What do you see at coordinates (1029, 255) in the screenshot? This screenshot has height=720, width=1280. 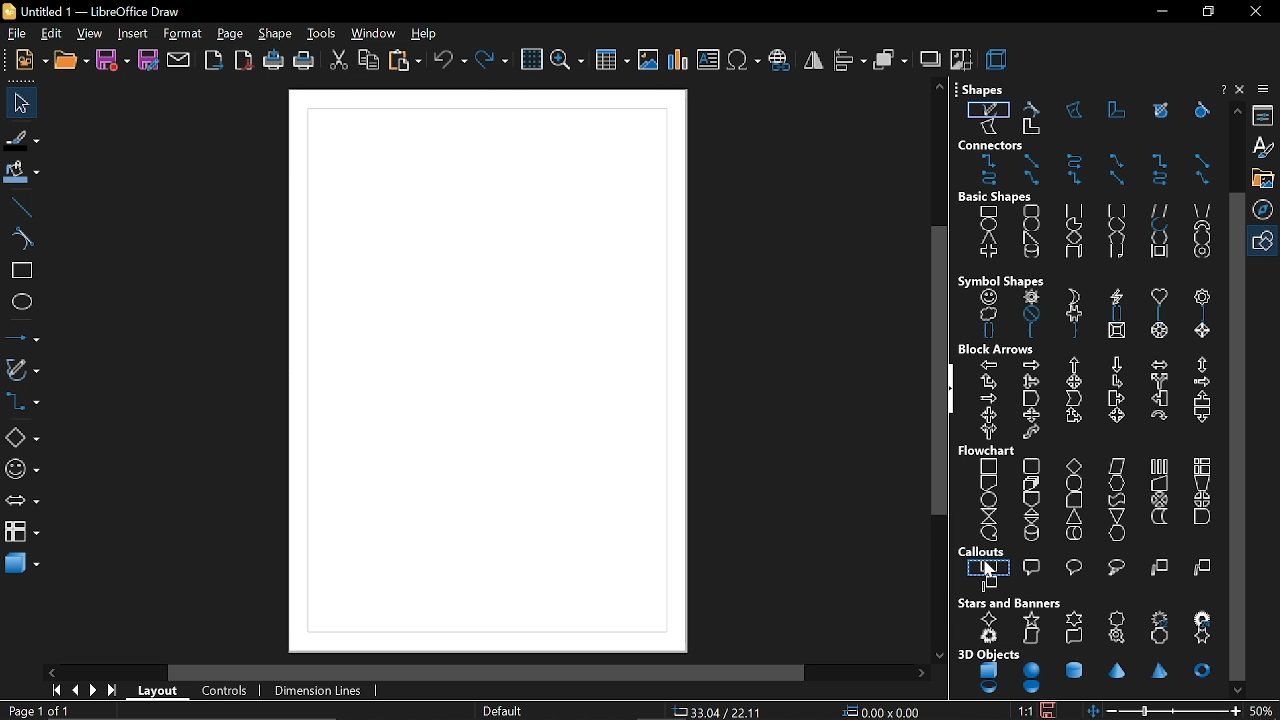 I see `cylinder` at bounding box center [1029, 255].